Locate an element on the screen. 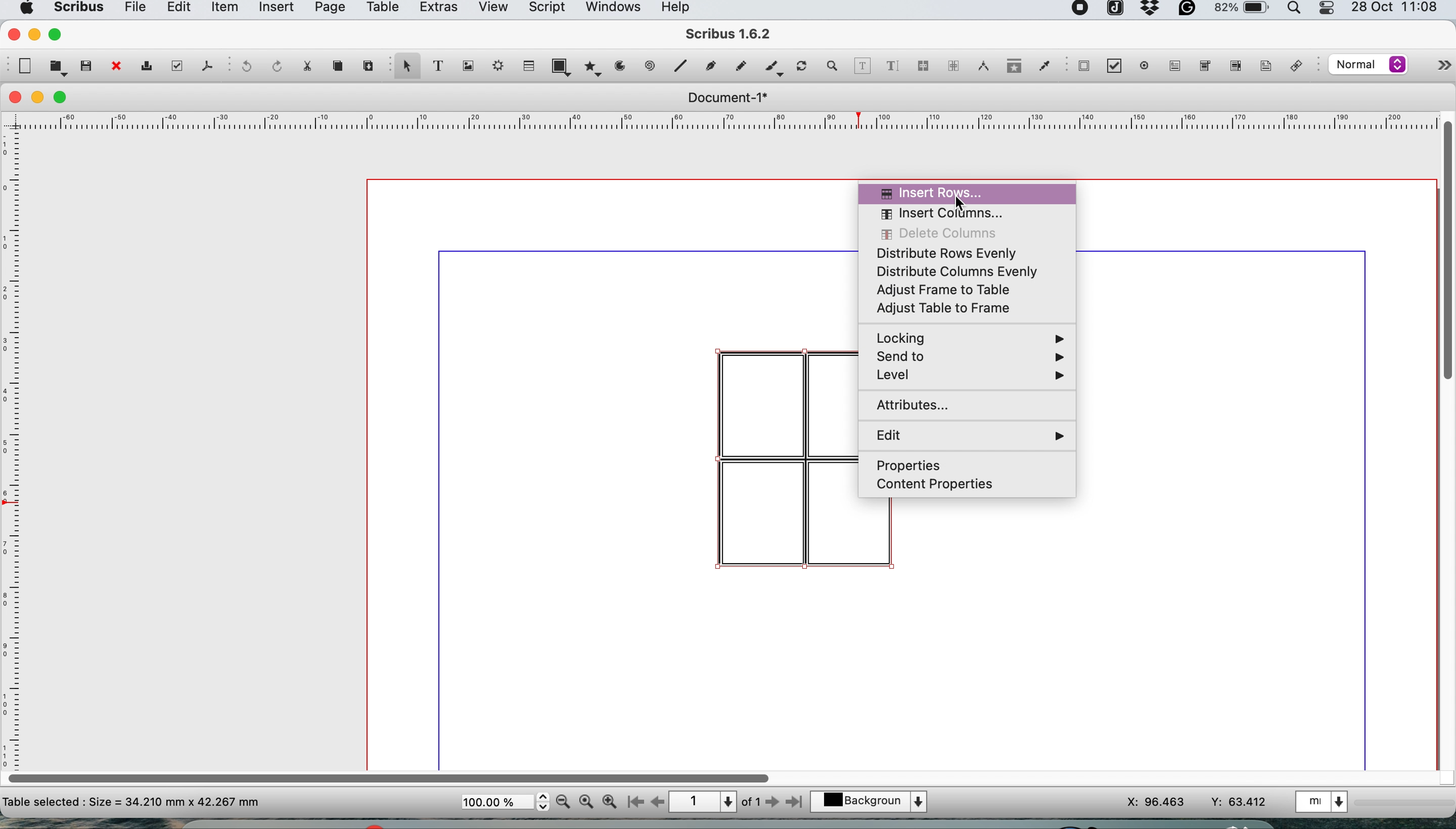 The height and width of the screenshot is (829, 1456). level is located at coordinates (970, 376).